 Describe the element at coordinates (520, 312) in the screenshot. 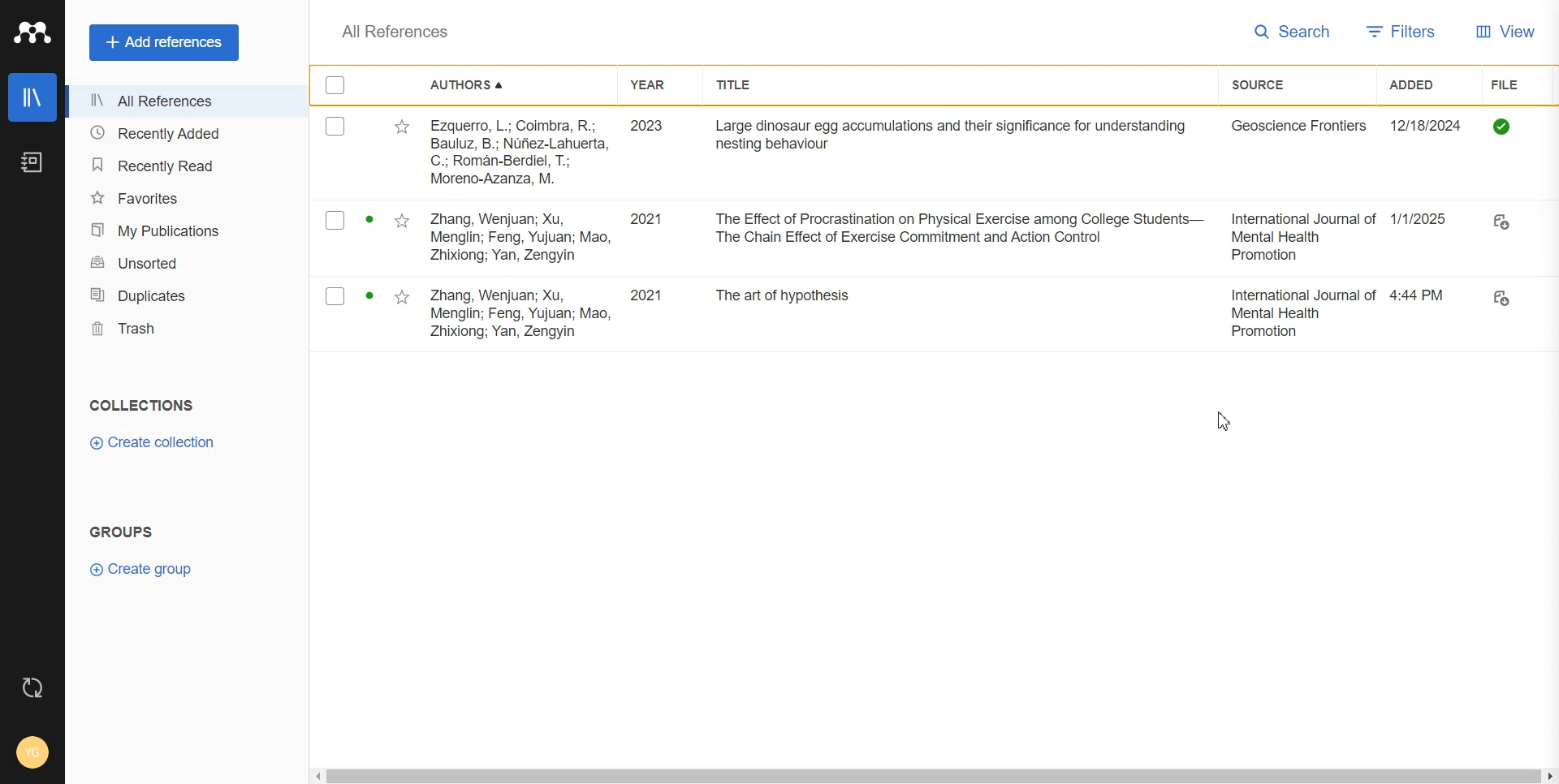

I see `Zhang Wenjuan; Xu, Menglin; Feng` at that location.